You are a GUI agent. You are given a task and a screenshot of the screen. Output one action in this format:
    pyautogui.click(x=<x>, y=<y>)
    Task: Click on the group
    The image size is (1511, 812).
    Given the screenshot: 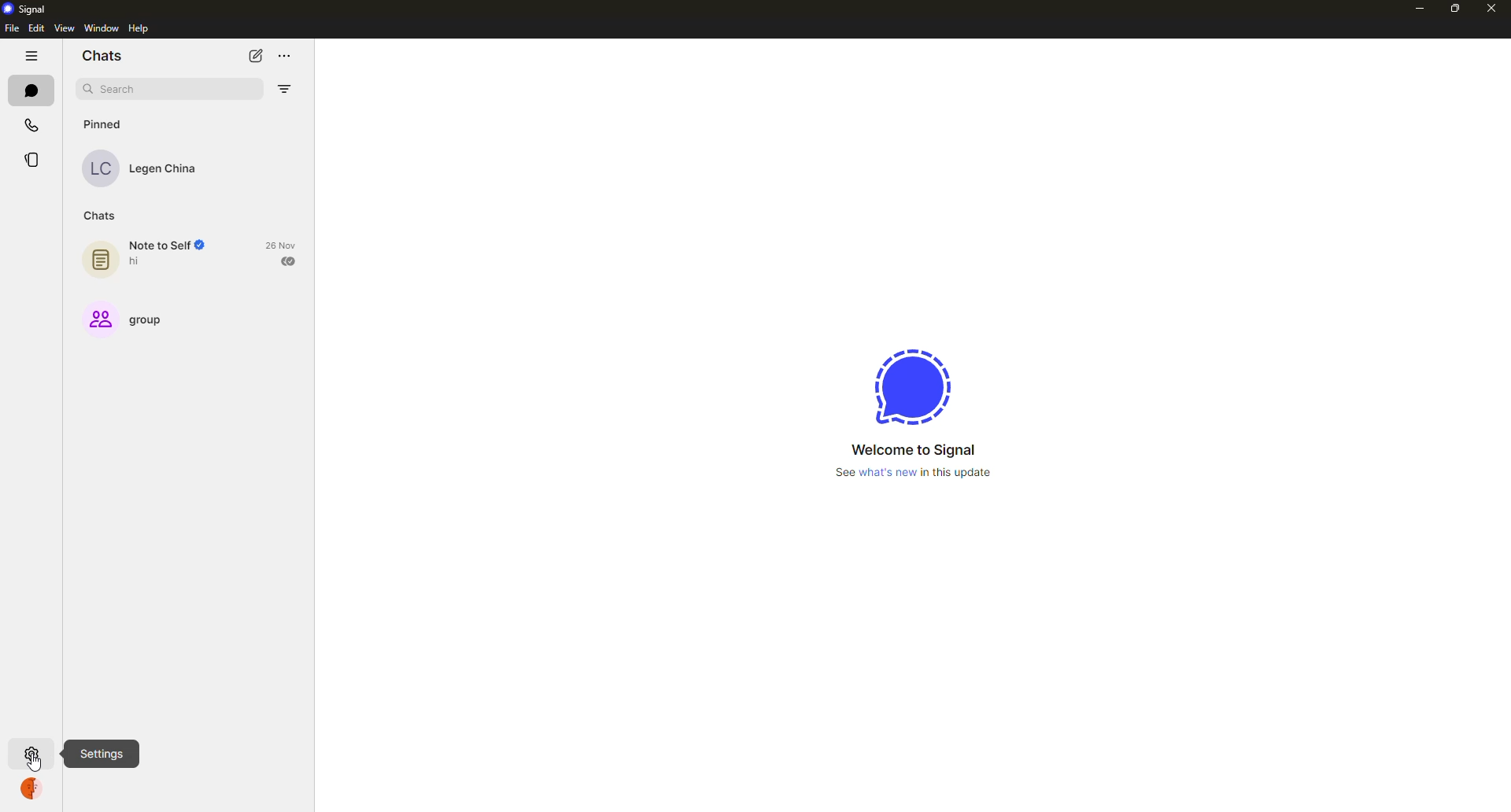 What is the action you would take?
    pyautogui.click(x=130, y=318)
    